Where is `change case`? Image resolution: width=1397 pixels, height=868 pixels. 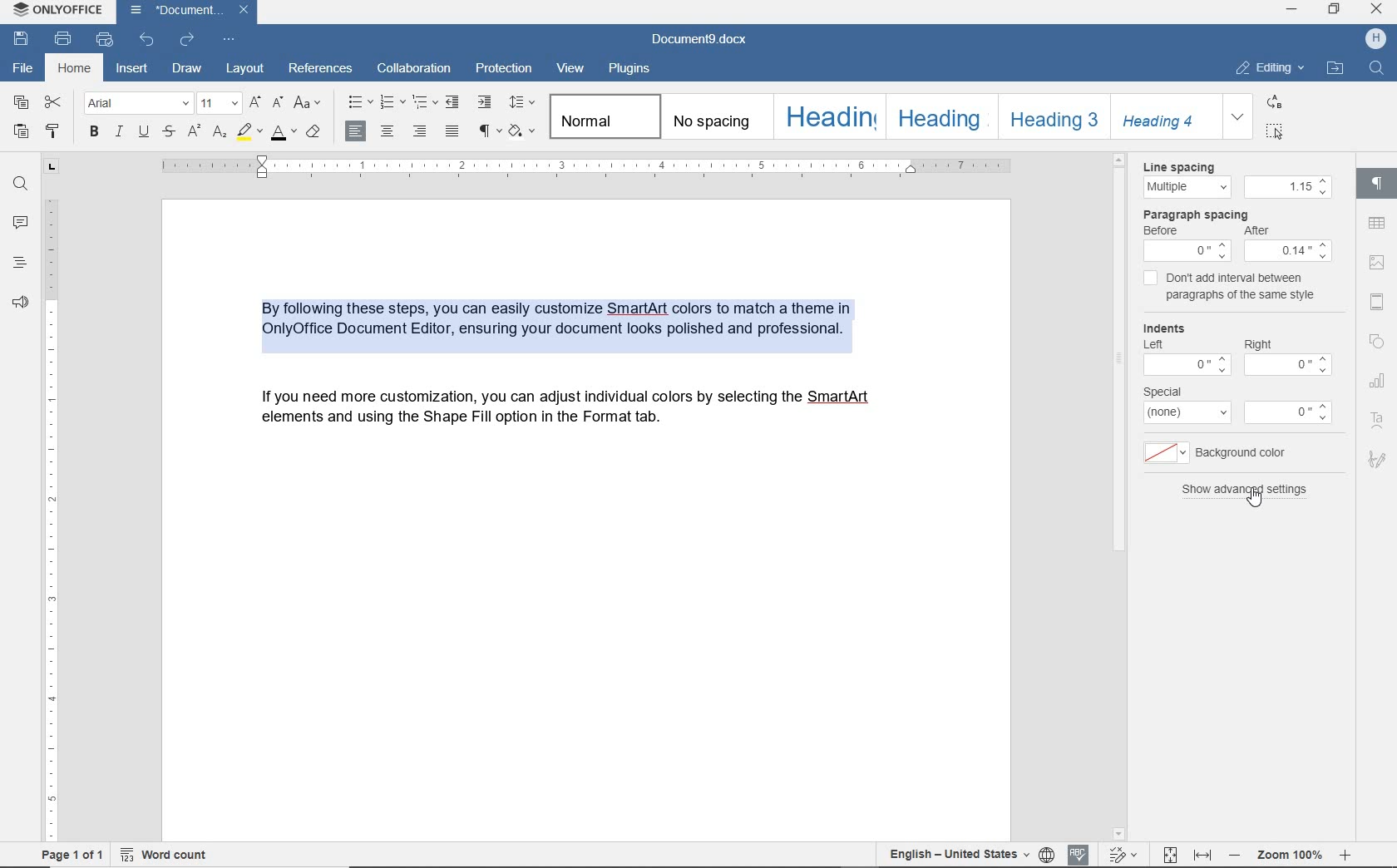
change case is located at coordinates (309, 101).